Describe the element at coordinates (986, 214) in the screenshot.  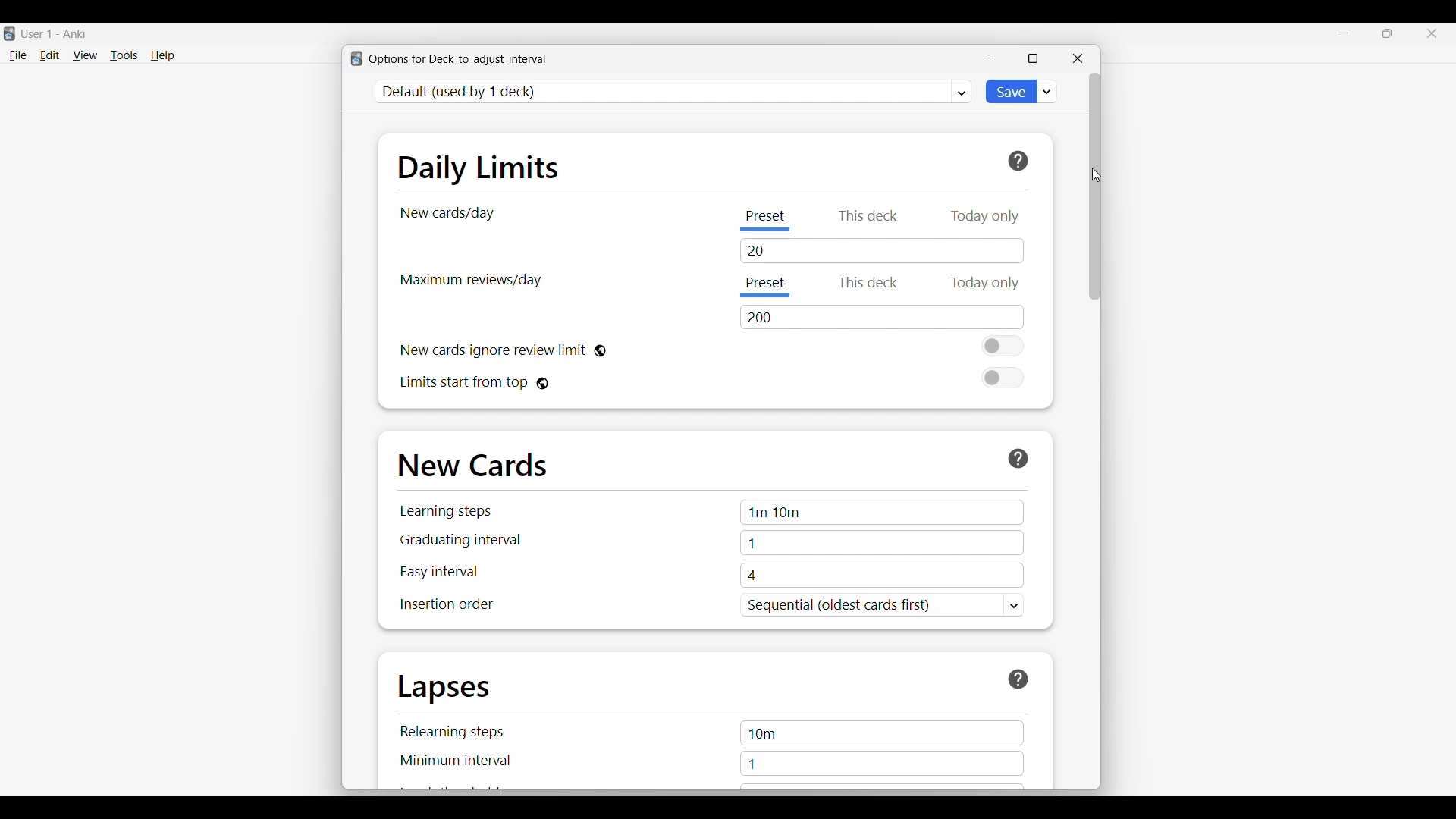
I see `Today only` at that location.